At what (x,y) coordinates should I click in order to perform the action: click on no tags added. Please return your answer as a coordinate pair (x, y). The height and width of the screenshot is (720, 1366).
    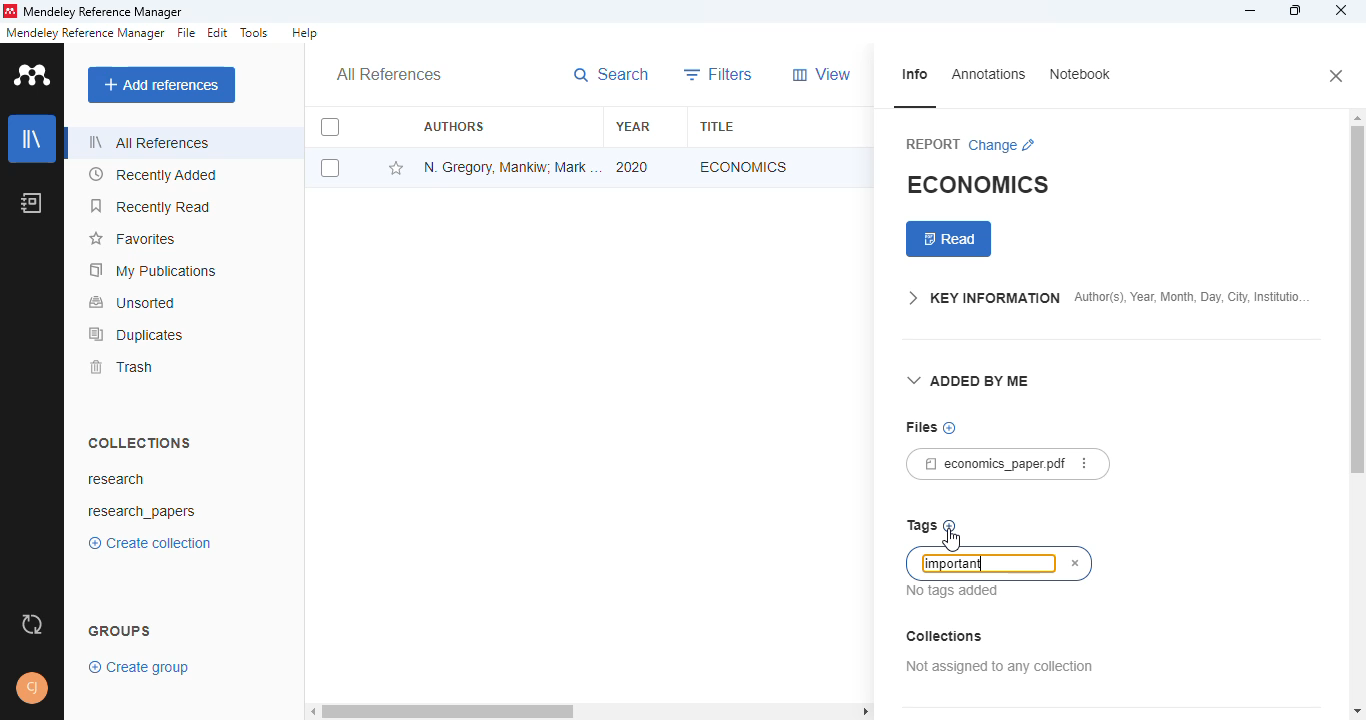
    Looking at the image, I should click on (954, 591).